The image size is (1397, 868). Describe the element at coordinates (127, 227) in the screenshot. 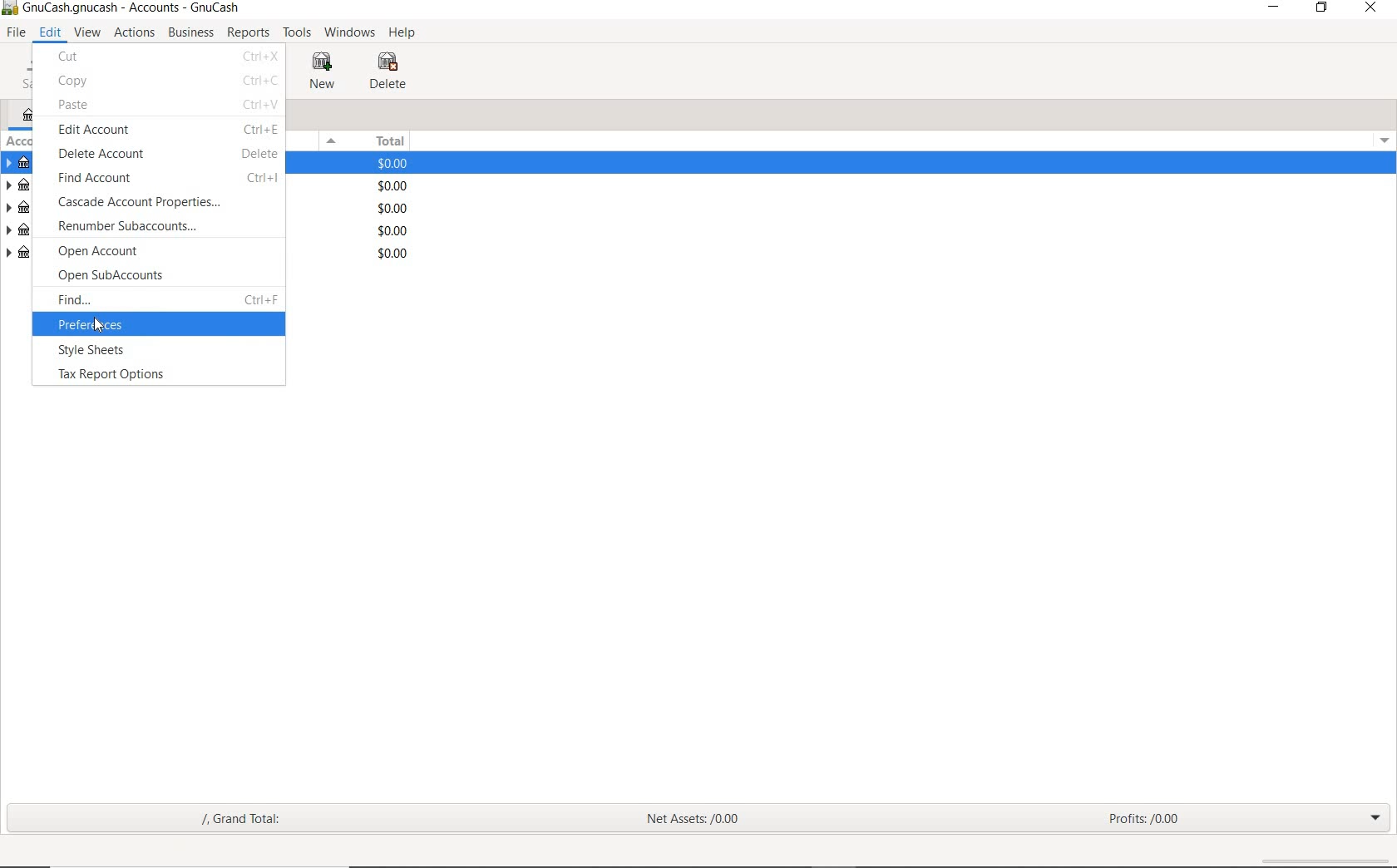

I see `renumber subaccounts` at that location.